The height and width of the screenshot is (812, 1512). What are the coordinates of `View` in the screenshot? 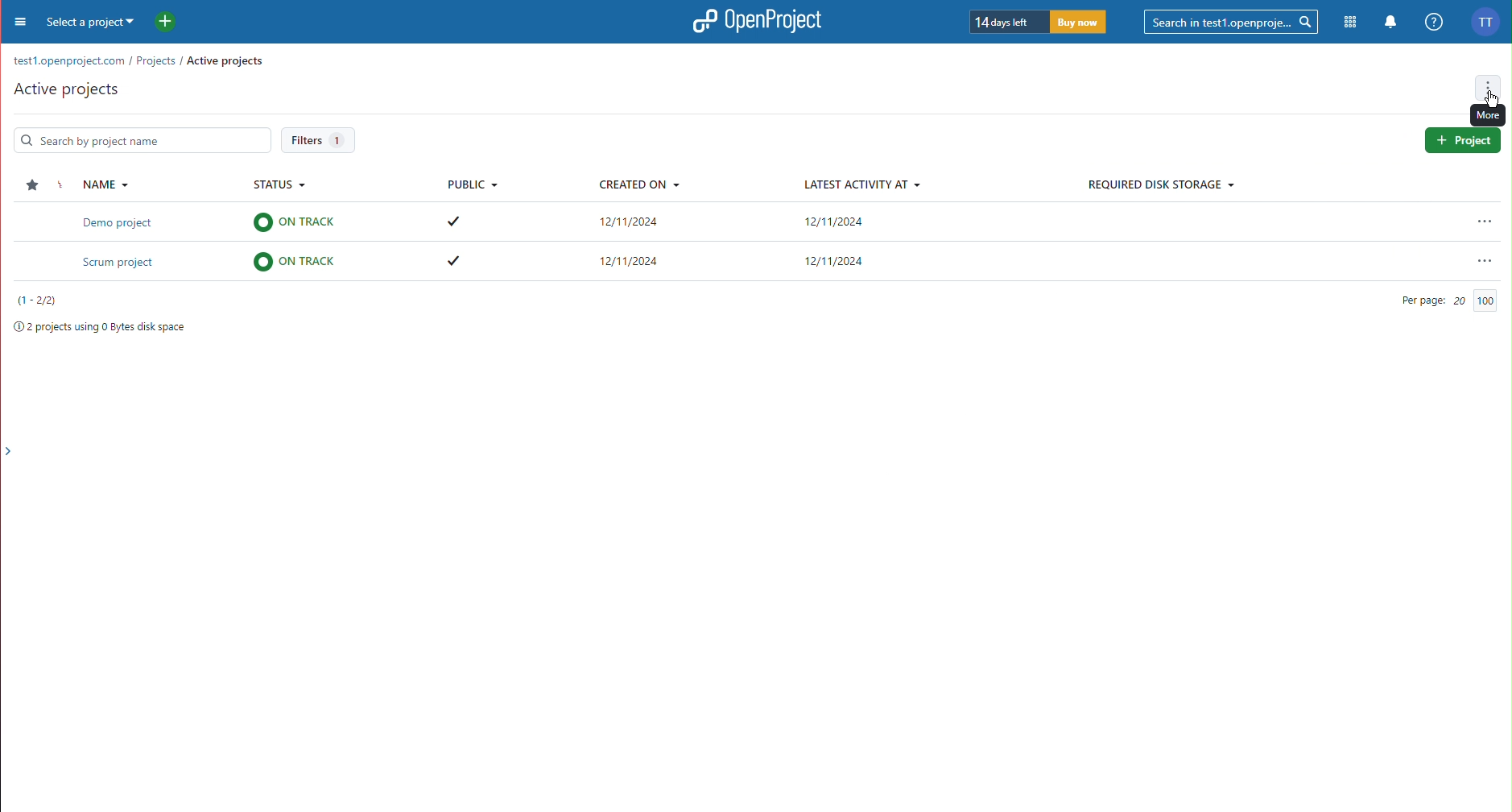 It's located at (1491, 114).